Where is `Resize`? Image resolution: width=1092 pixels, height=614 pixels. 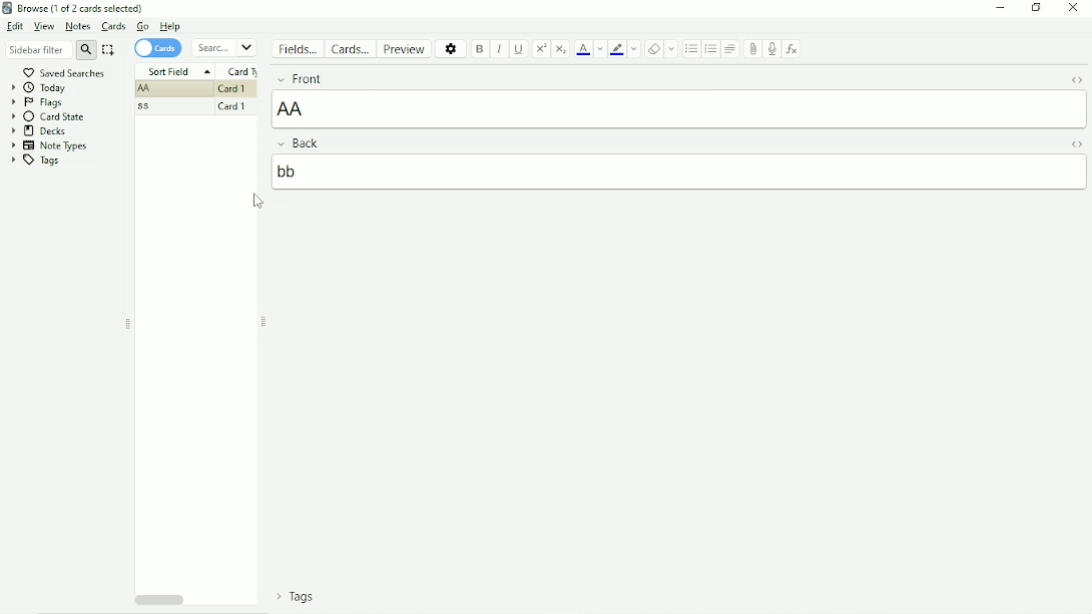 Resize is located at coordinates (265, 323).